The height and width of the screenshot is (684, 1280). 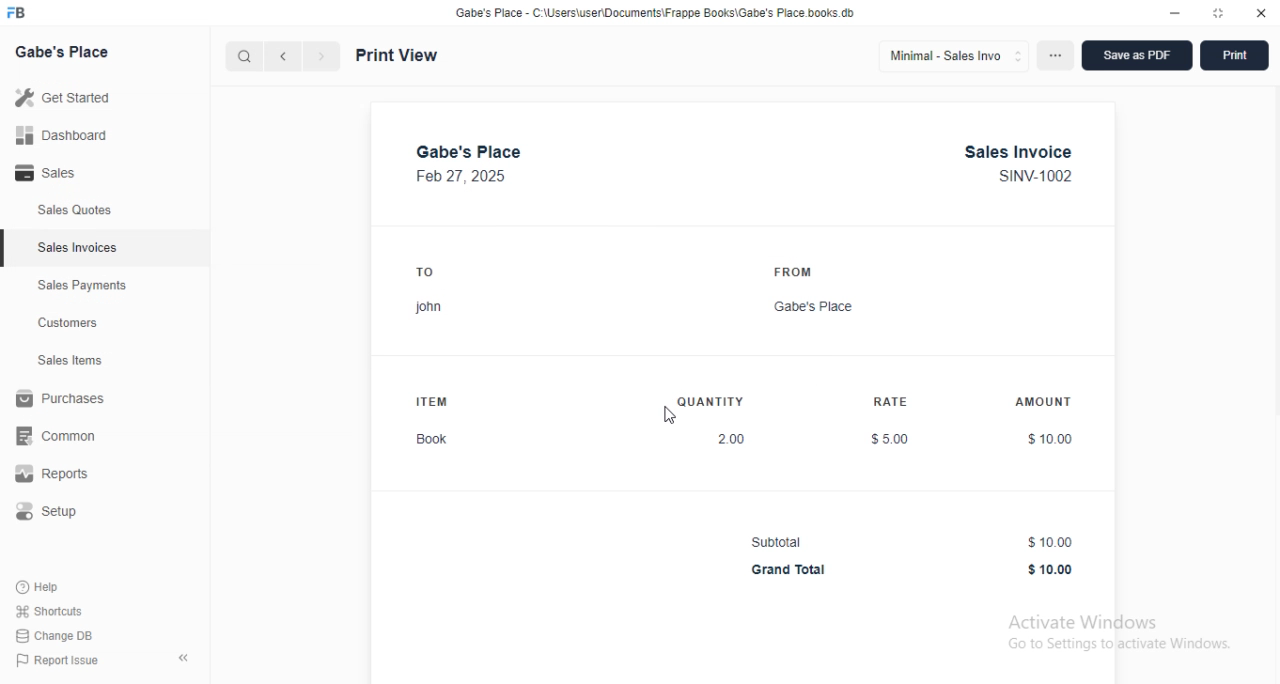 I want to click on Grand Total, so click(x=790, y=570).